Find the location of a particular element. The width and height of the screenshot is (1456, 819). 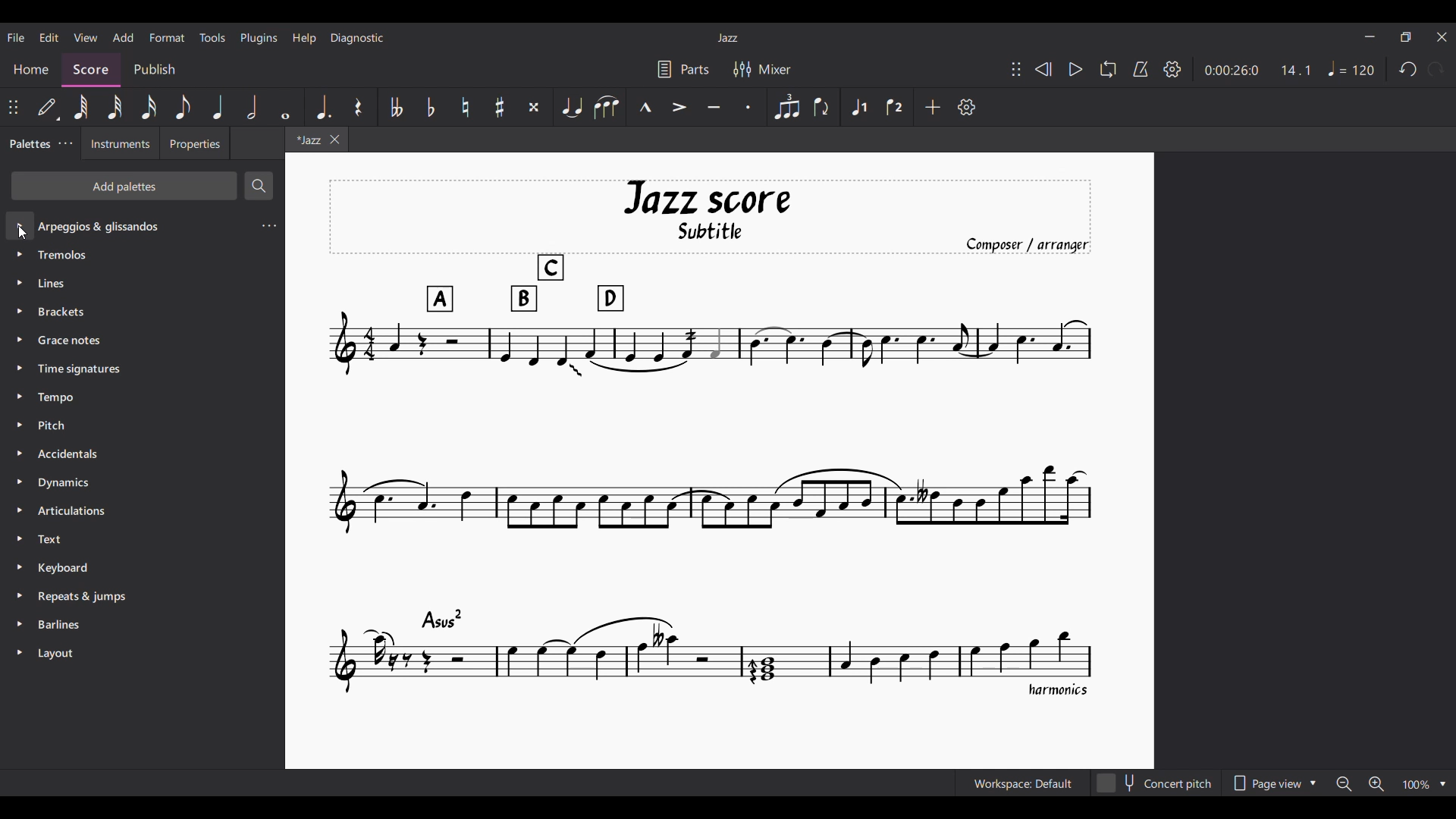

Parts settings is located at coordinates (683, 69).